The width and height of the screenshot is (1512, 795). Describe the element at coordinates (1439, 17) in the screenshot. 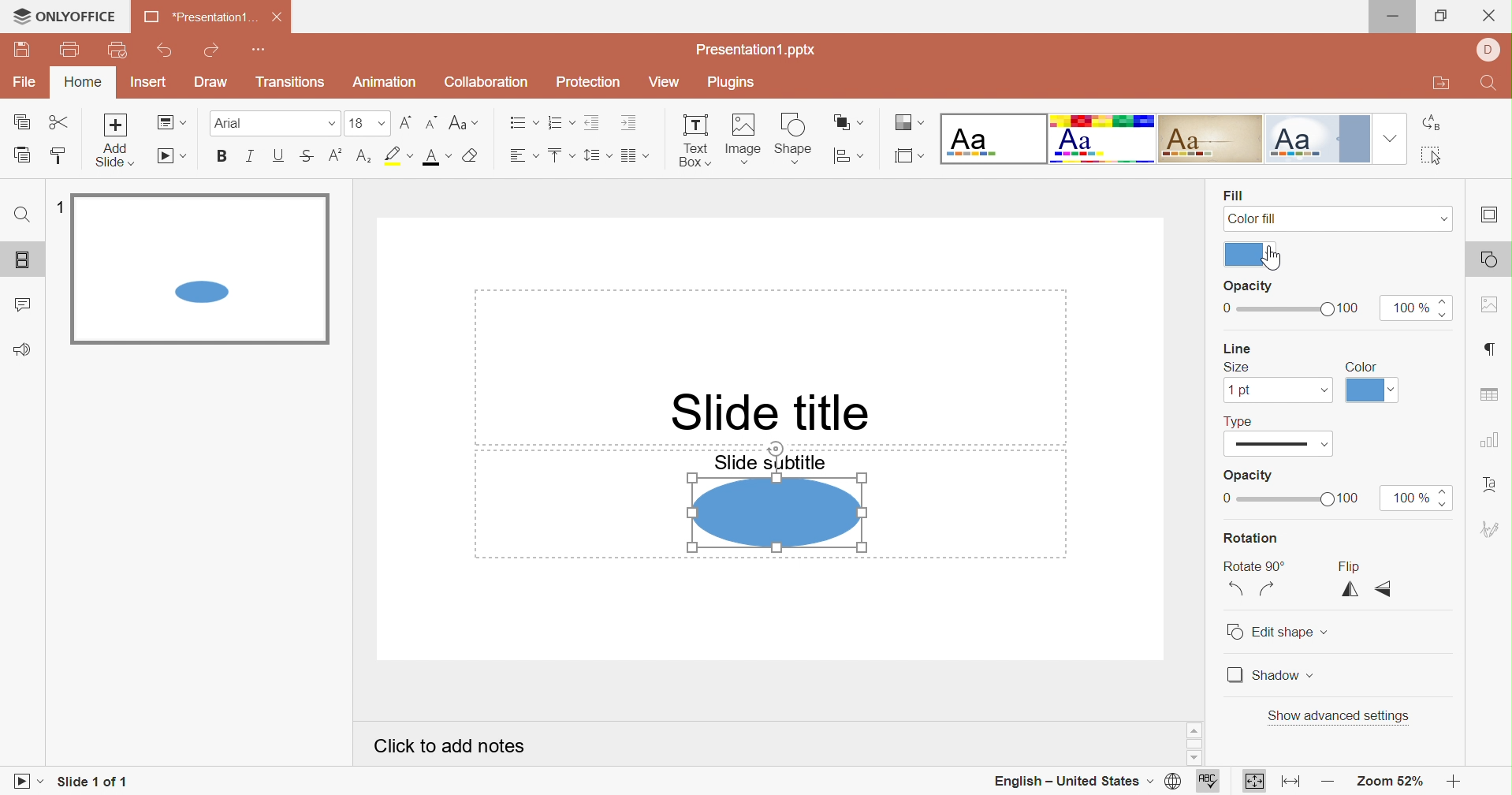

I see `Restore down` at that location.